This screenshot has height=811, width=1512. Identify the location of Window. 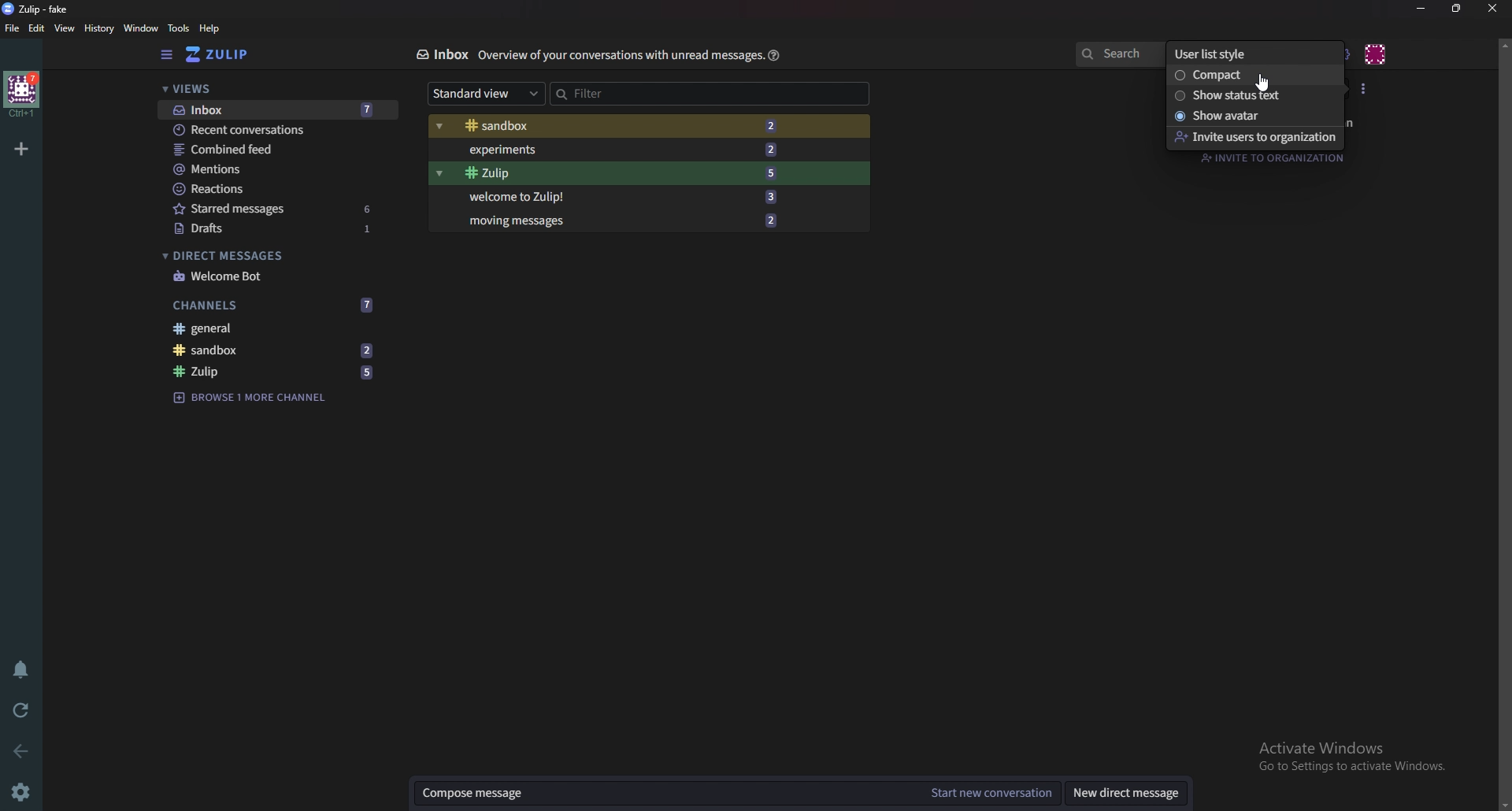
(141, 28).